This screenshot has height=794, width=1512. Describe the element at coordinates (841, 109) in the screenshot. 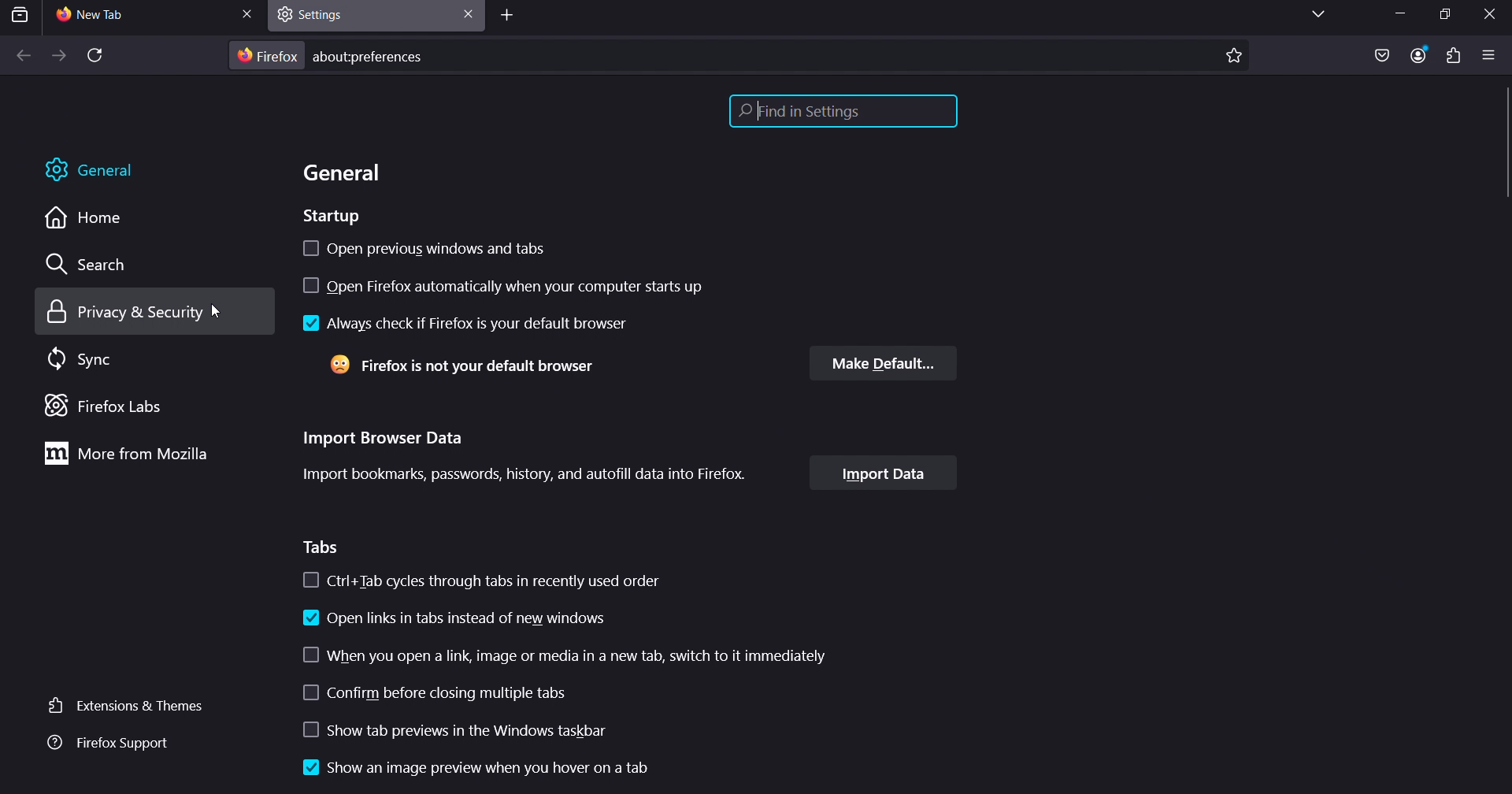

I see `find in settings` at that location.